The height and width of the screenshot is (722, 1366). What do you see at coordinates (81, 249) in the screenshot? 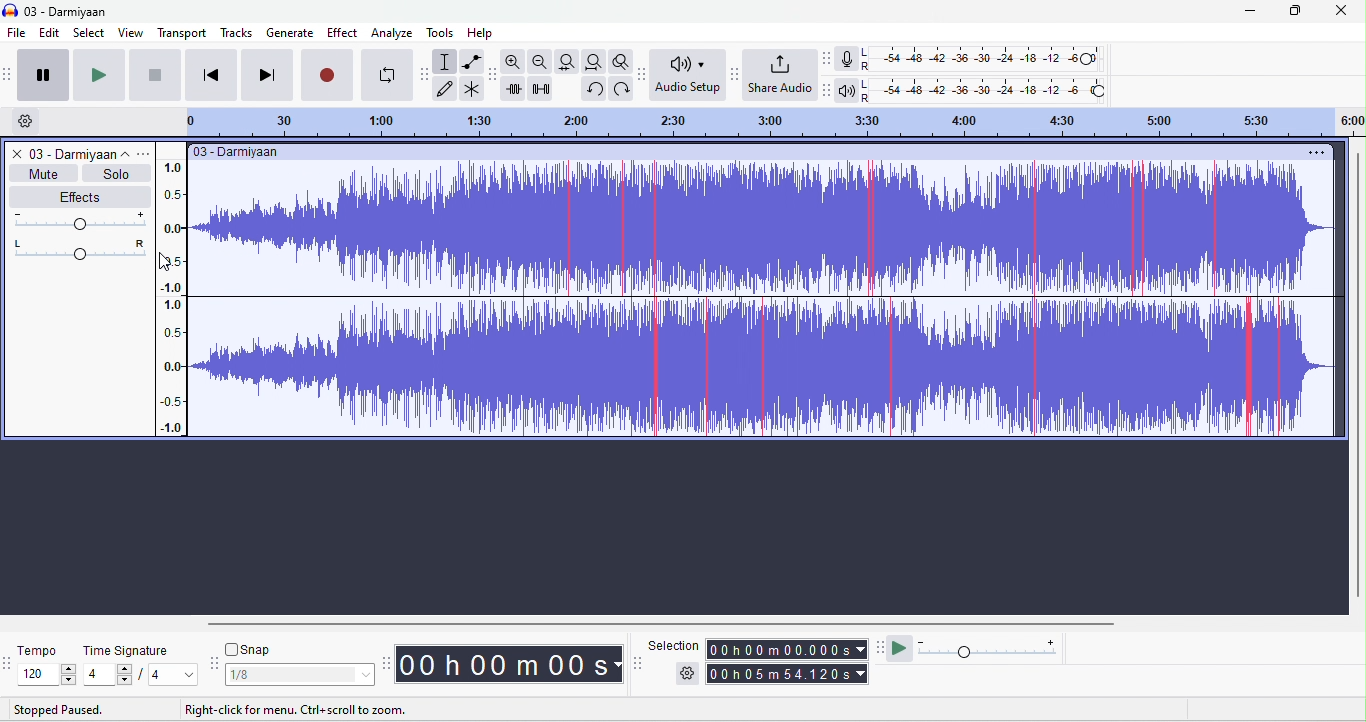
I see `pan` at bounding box center [81, 249].